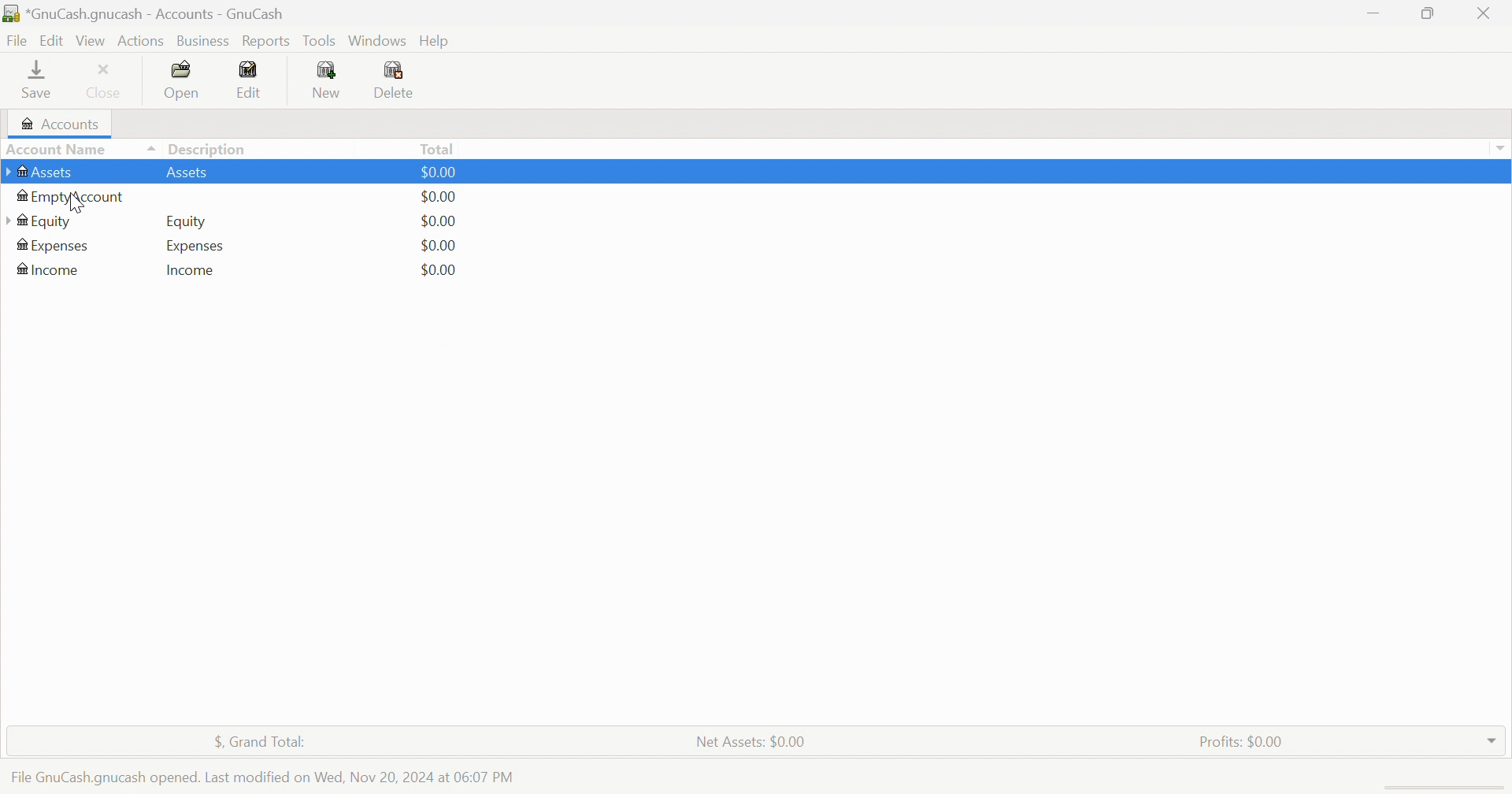 This screenshot has width=1512, height=794. Describe the element at coordinates (140, 42) in the screenshot. I see `Actions` at that location.